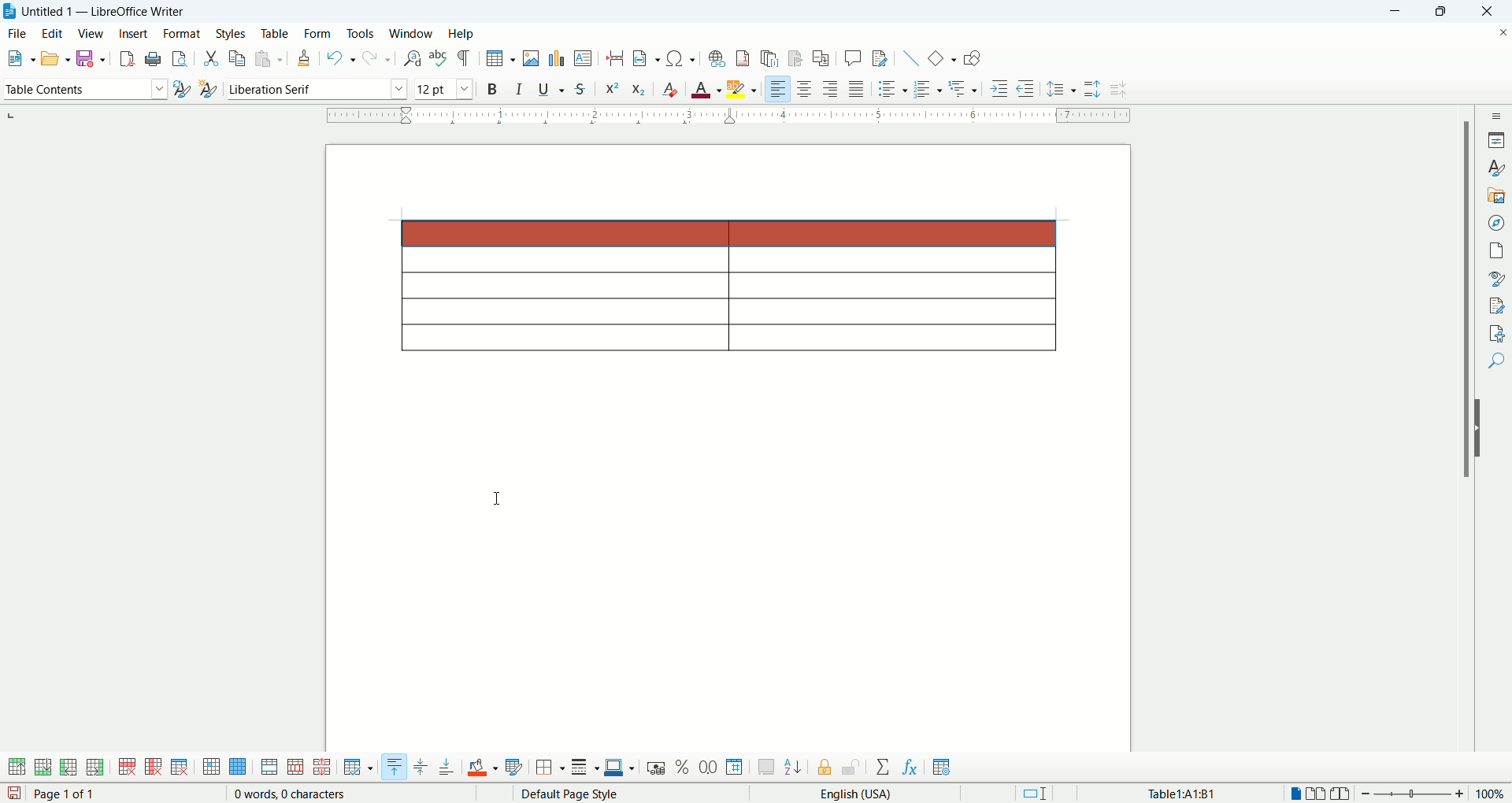 The image size is (1512, 803). What do you see at coordinates (1482, 428) in the screenshot?
I see `hide` at bounding box center [1482, 428].